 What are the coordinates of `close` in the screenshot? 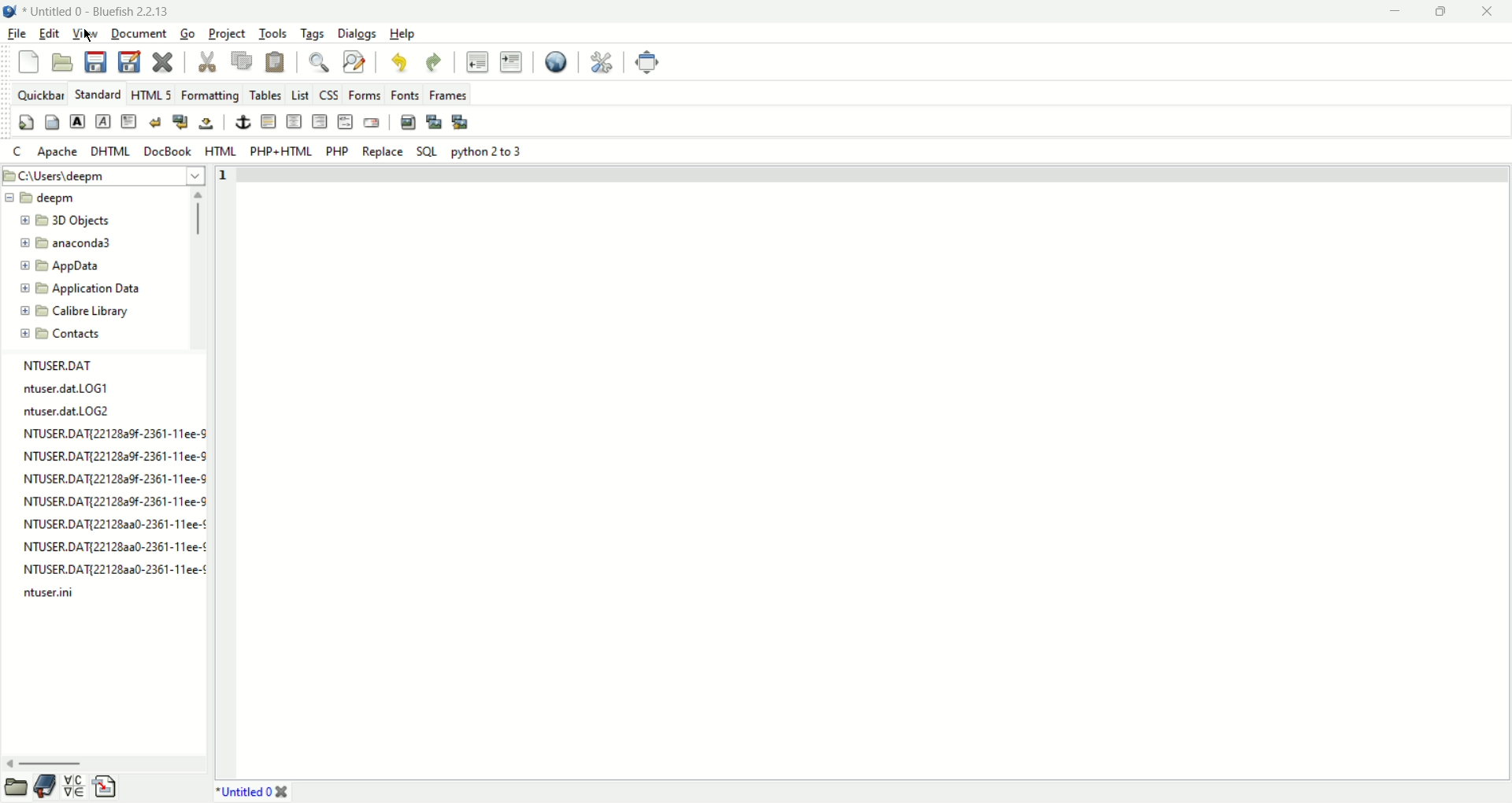 It's located at (282, 793).